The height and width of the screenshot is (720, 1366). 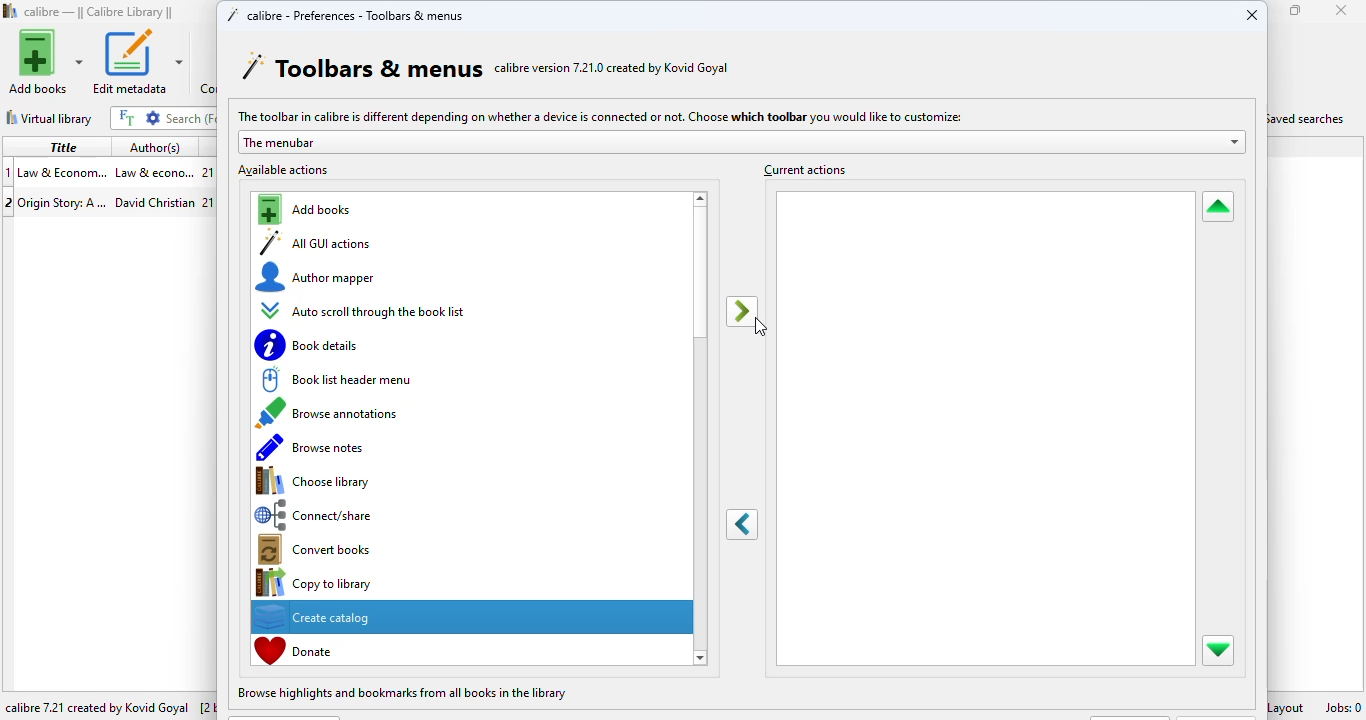 I want to click on advanced search, so click(x=153, y=118).